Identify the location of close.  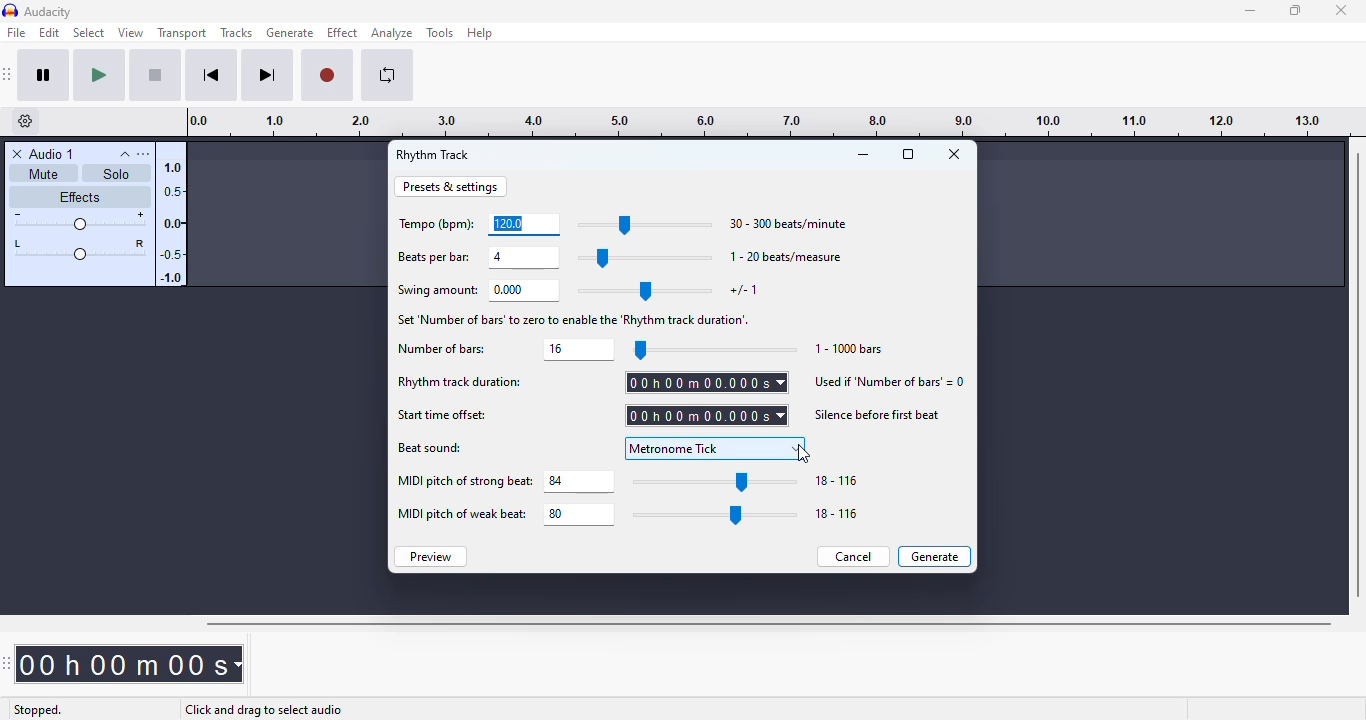
(1340, 10).